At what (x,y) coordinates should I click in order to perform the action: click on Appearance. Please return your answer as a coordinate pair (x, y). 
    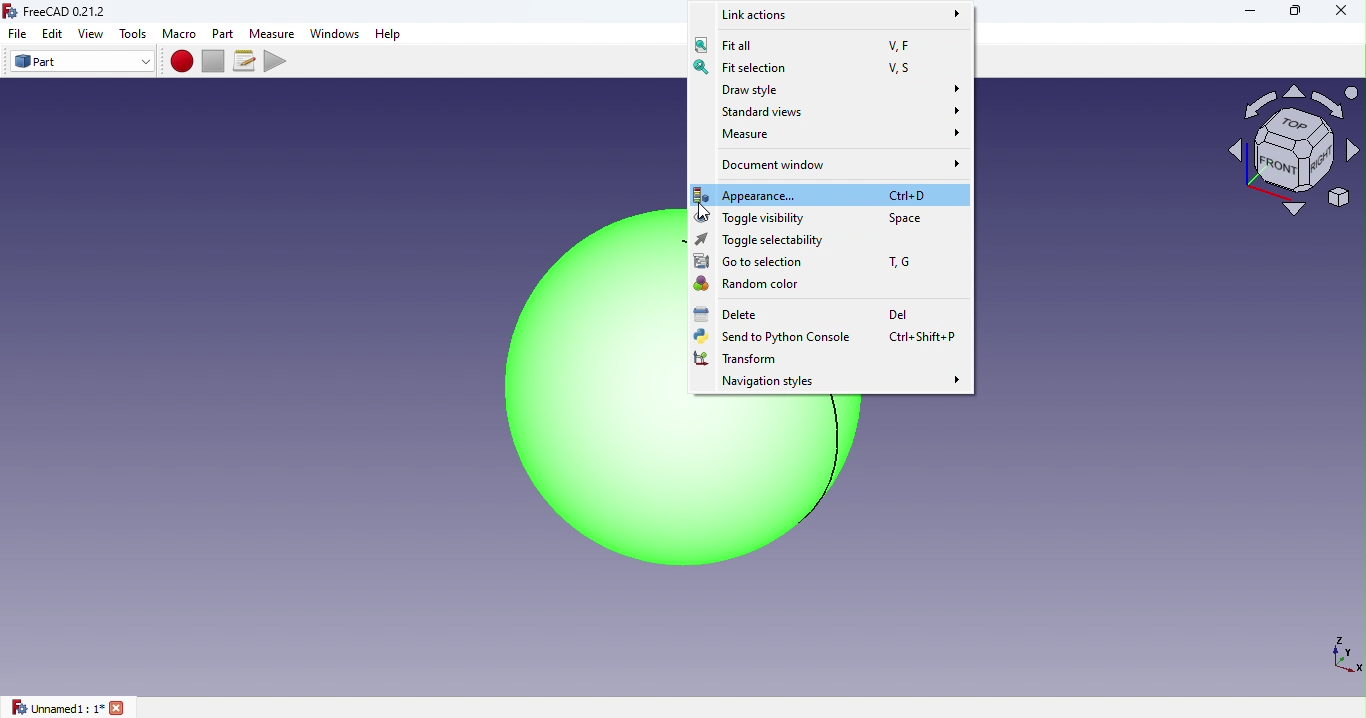
    Looking at the image, I should click on (826, 193).